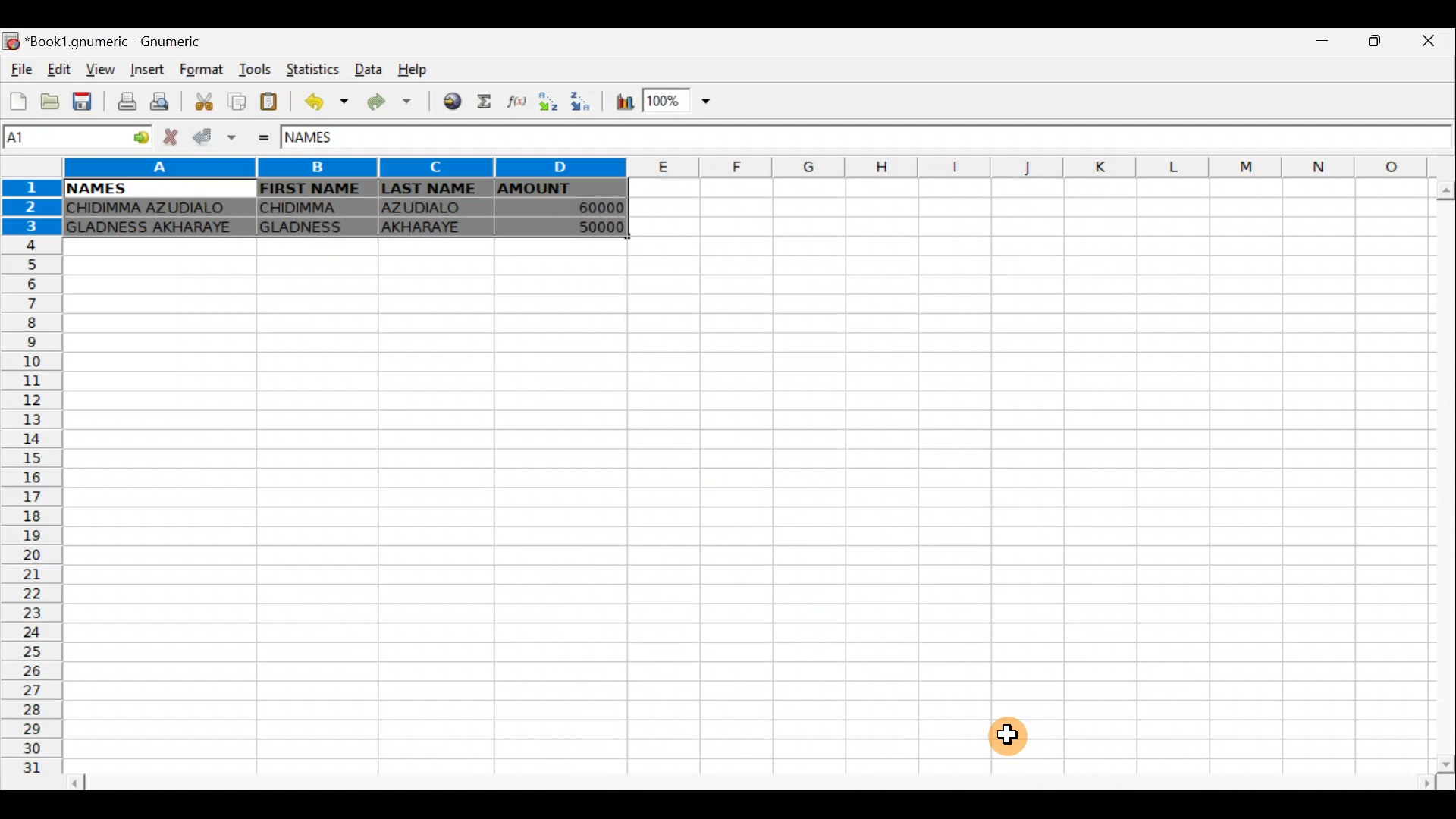 The image size is (1456, 819). Describe the element at coordinates (578, 209) in the screenshot. I see `50000` at that location.